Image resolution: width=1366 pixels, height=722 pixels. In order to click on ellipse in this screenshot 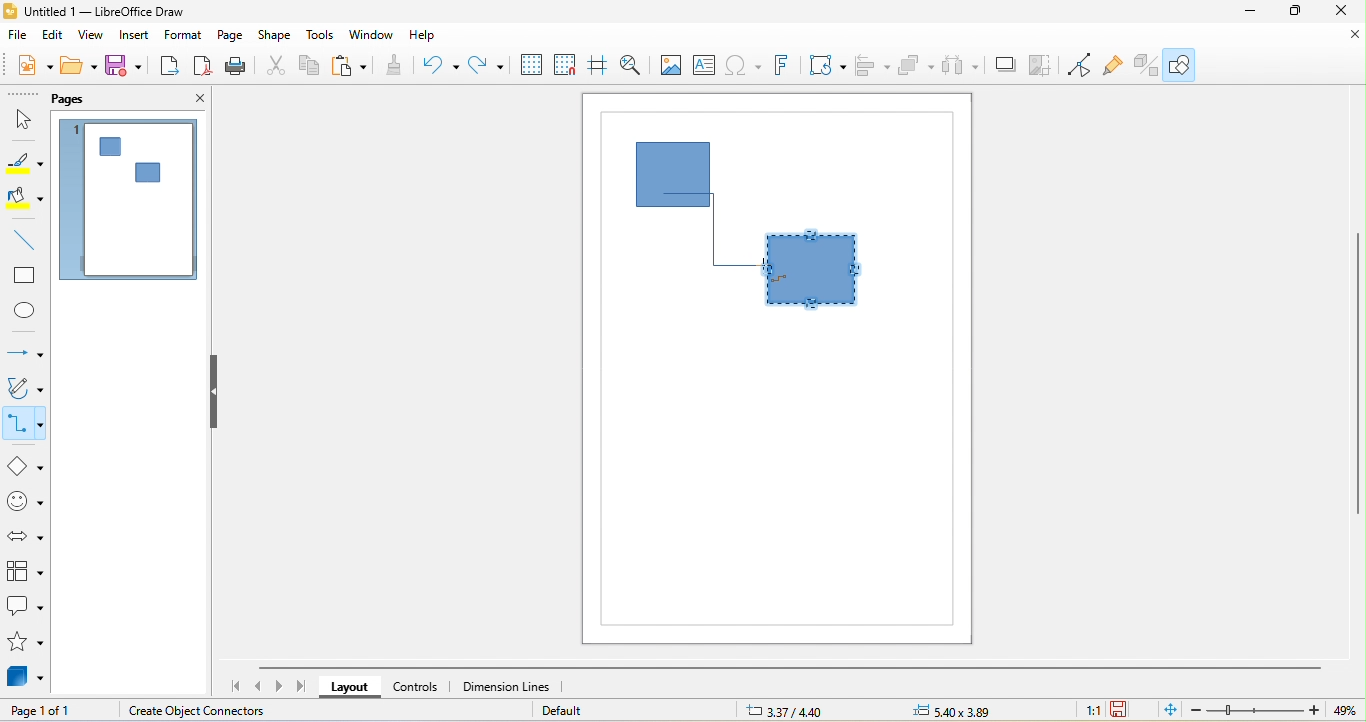, I will do `click(24, 311)`.